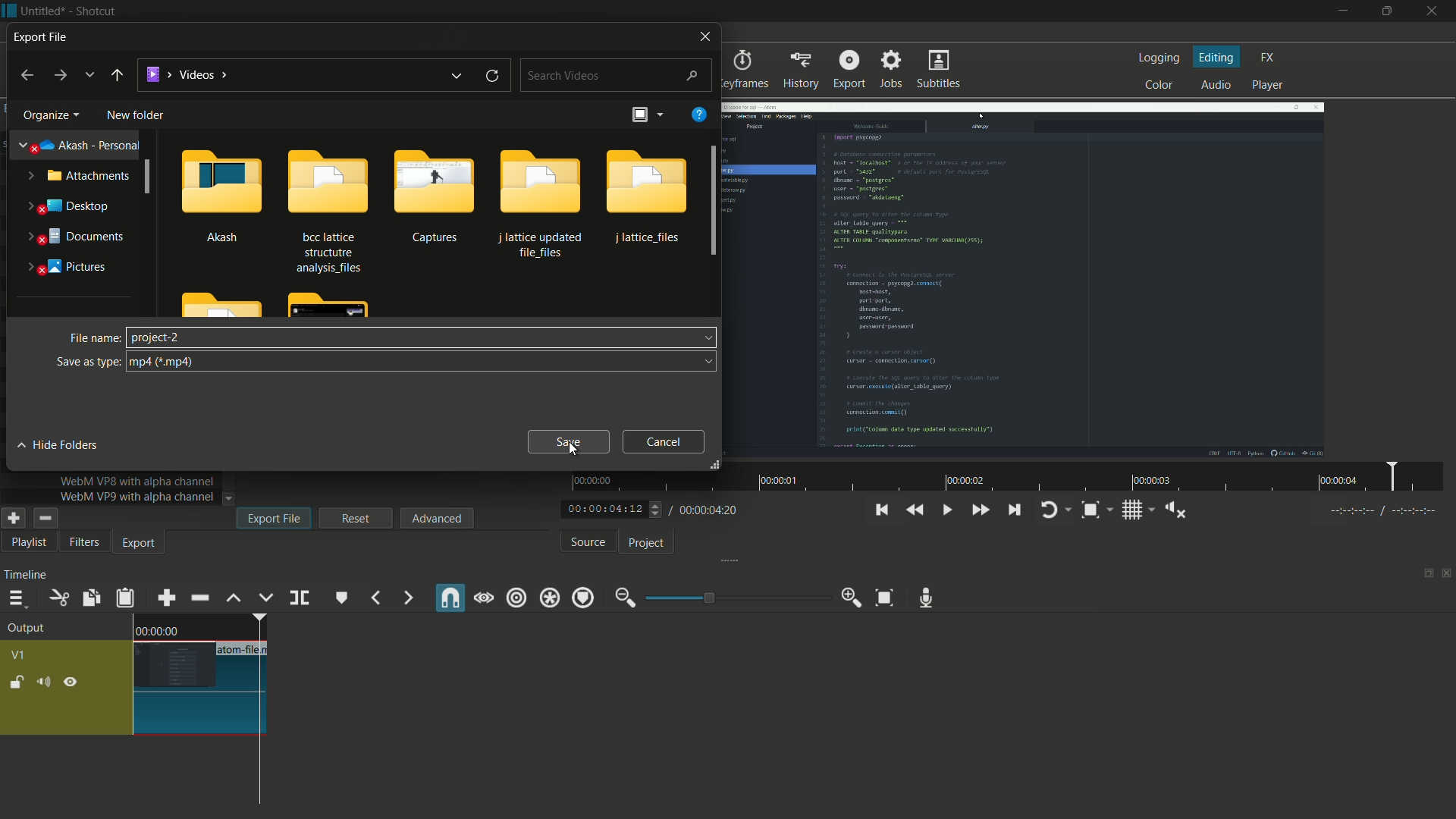 Image resolution: width=1456 pixels, height=819 pixels. I want to click on forward, so click(62, 76).